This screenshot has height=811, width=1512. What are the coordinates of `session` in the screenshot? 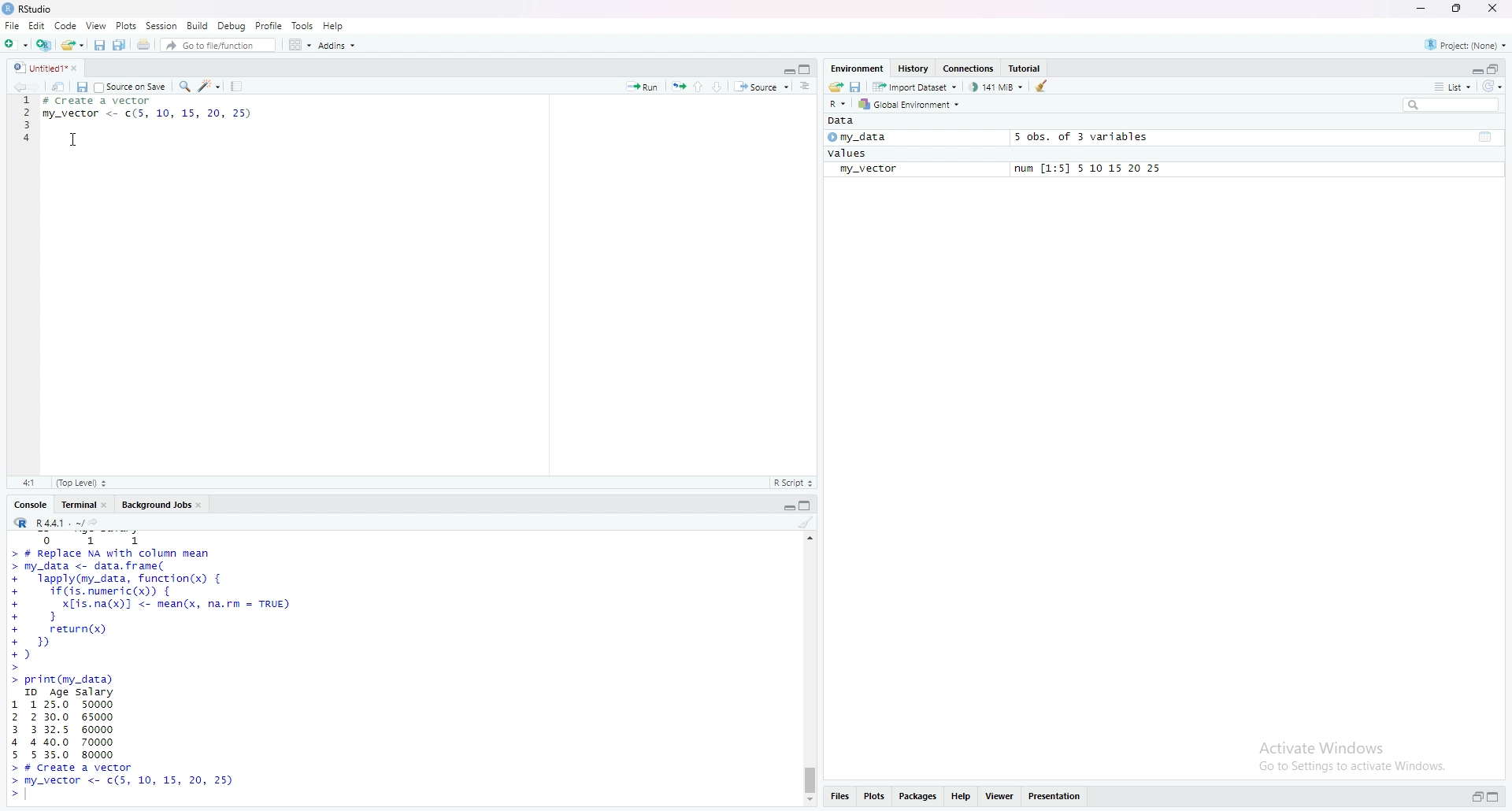 It's located at (162, 25).